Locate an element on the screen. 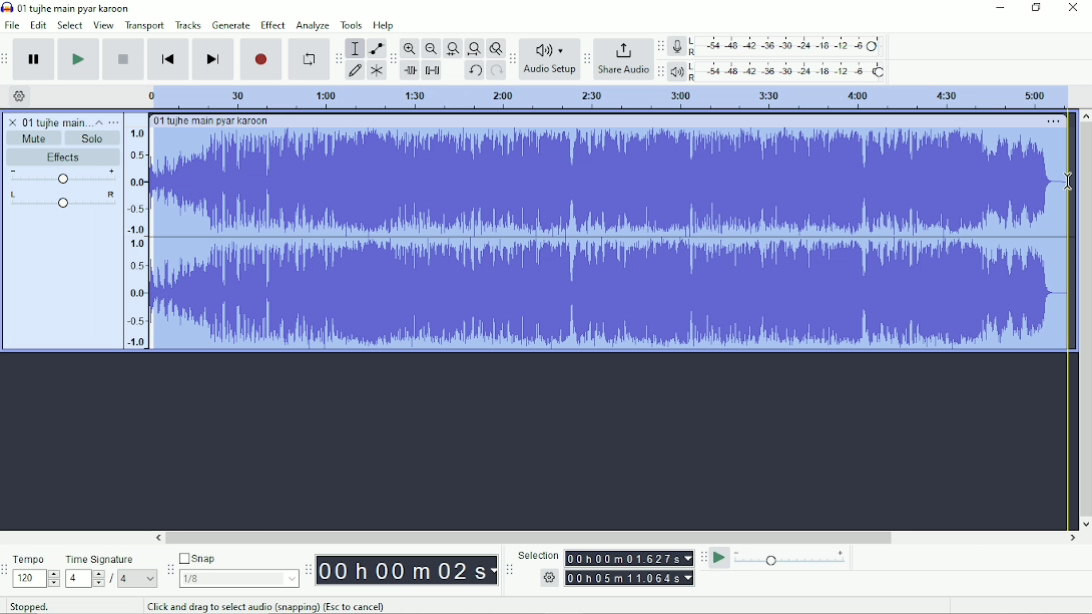 The height and width of the screenshot is (614, 1092). Audacity audio setup toolbar is located at coordinates (512, 59).